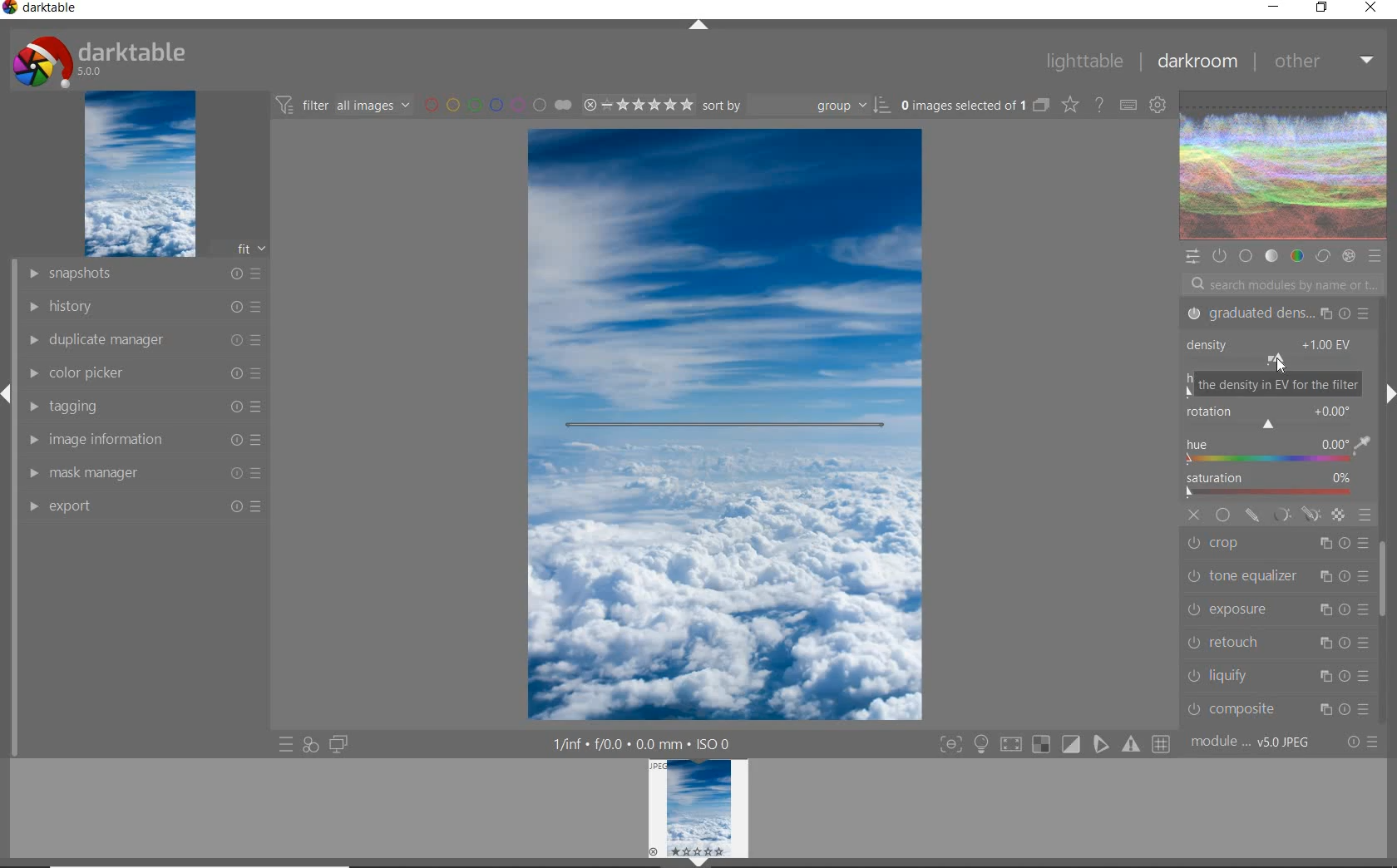  Describe the element at coordinates (1069, 106) in the screenshot. I see `CHANGE TYPE OF OVERLAY` at that location.